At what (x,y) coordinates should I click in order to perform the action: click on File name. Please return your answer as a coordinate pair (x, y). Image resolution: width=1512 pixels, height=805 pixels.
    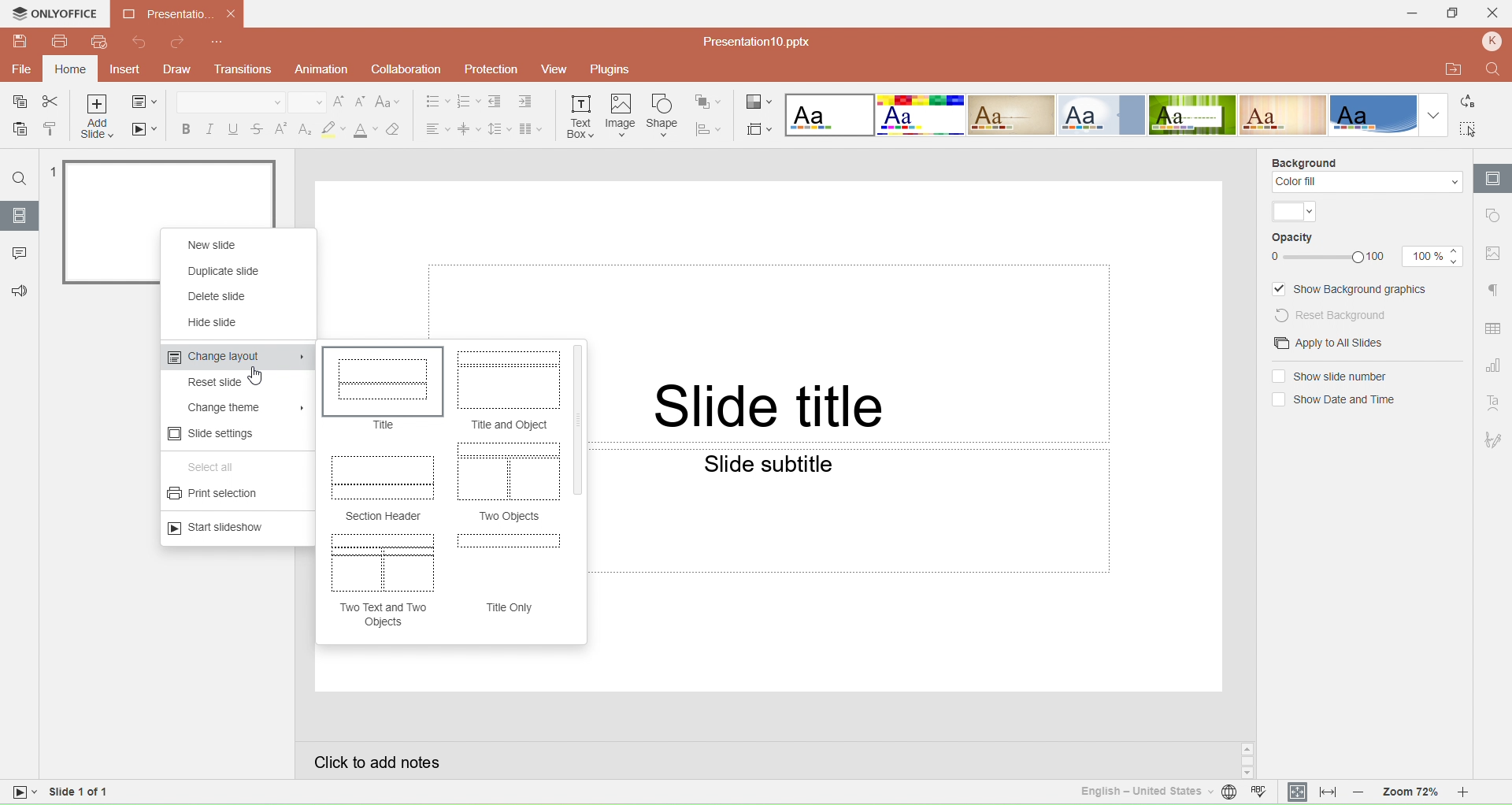
    Looking at the image, I should click on (750, 41).